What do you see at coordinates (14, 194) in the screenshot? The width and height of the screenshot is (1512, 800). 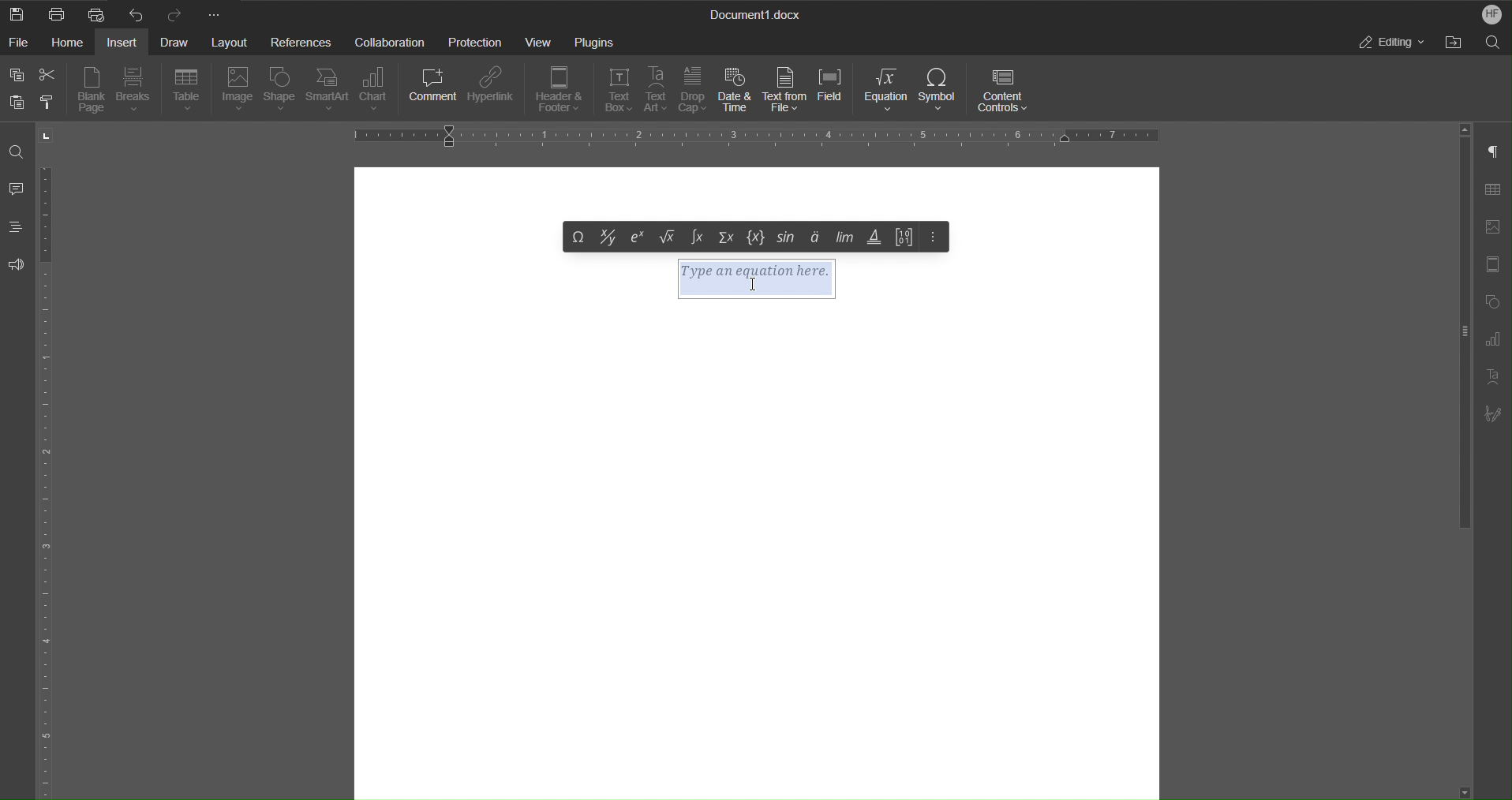 I see `Comments` at bounding box center [14, 194].